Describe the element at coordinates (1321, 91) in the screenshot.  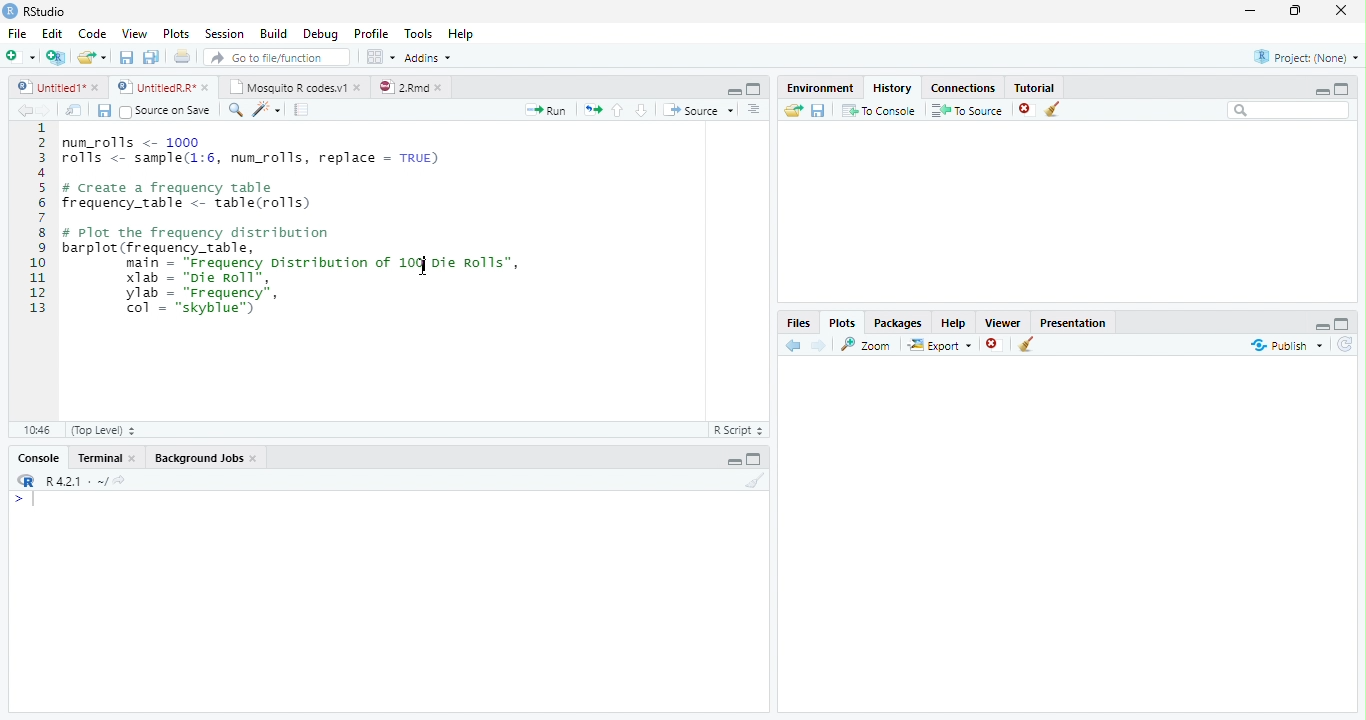
I see `Minimize Height` at that location.